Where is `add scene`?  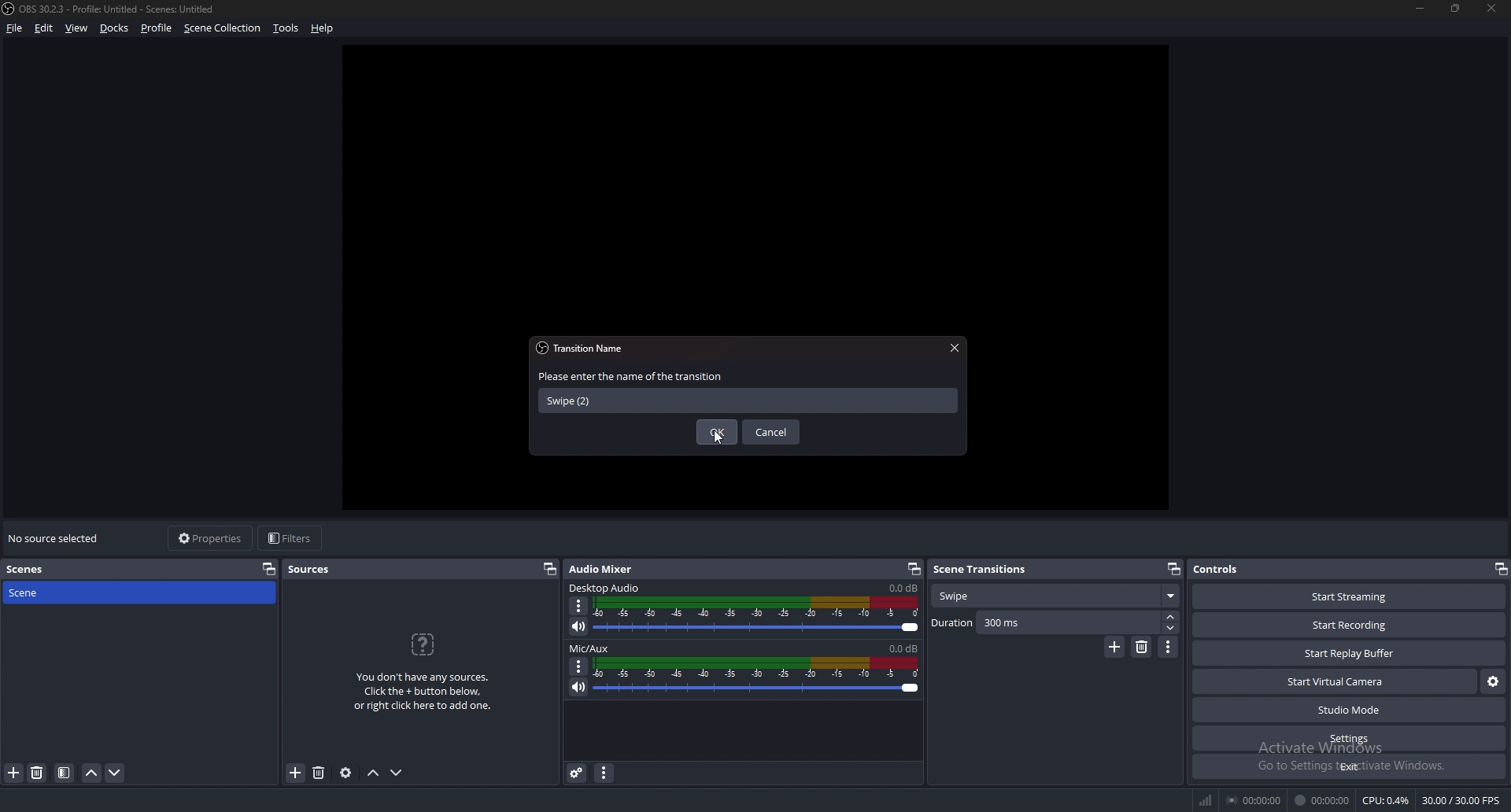
add scene is located at coordinates (13, 773).